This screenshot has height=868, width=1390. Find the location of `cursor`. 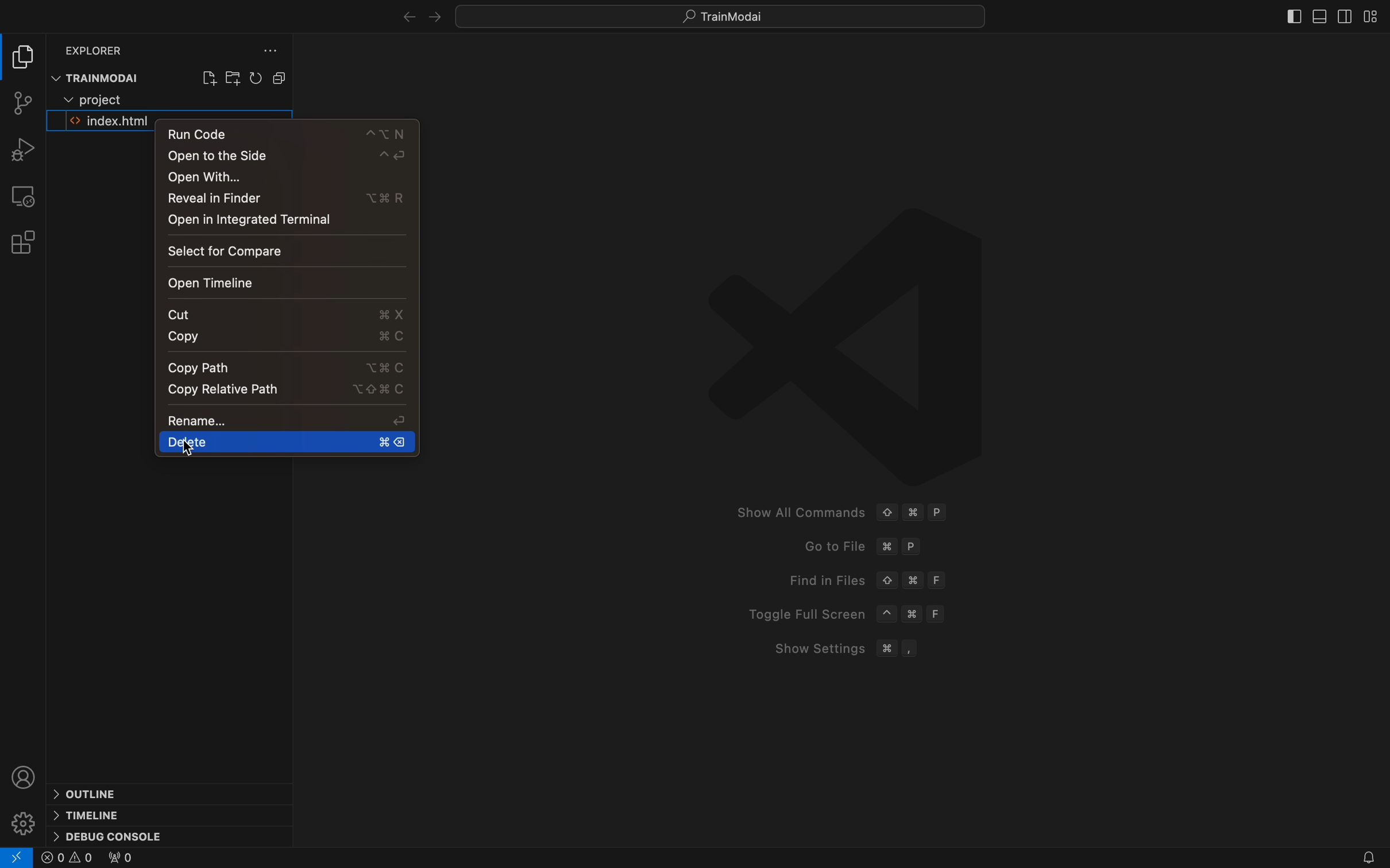

cursor is located at coordinates (191, 452).